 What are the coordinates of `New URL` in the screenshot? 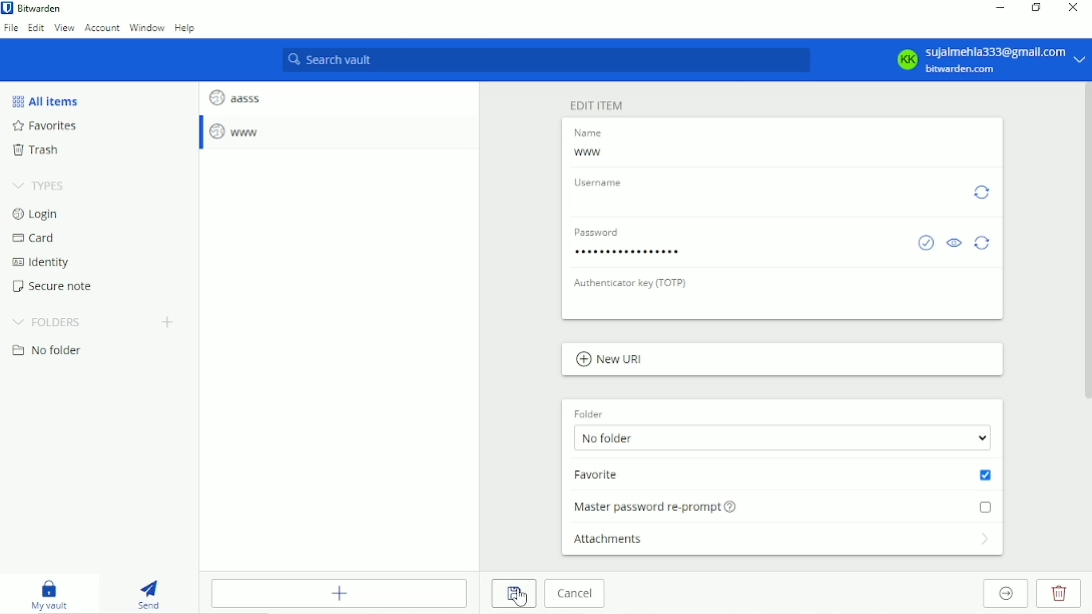 It's located at (610, 360).